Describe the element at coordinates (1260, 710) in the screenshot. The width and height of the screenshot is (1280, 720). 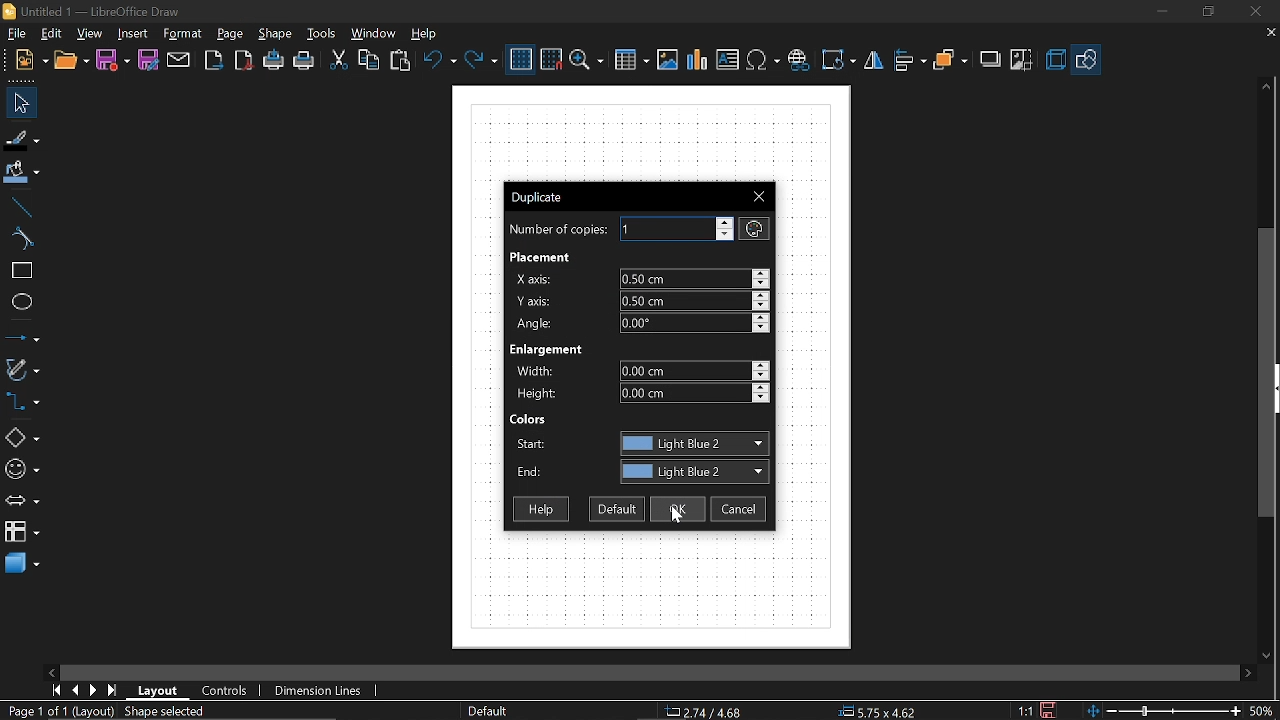
I see `Current zoom` at that location.